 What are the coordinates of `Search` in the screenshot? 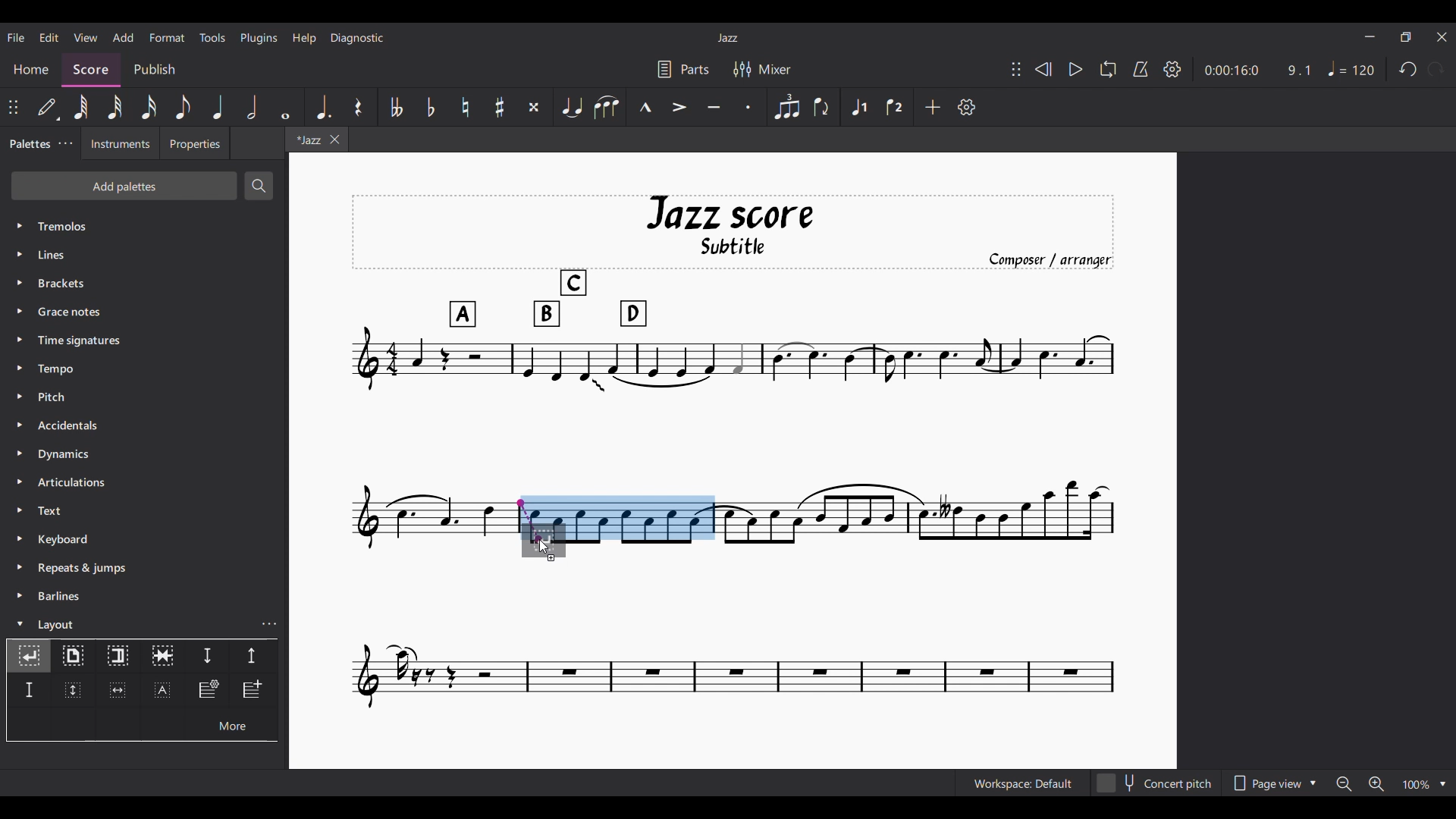 It's located at (259, 186).